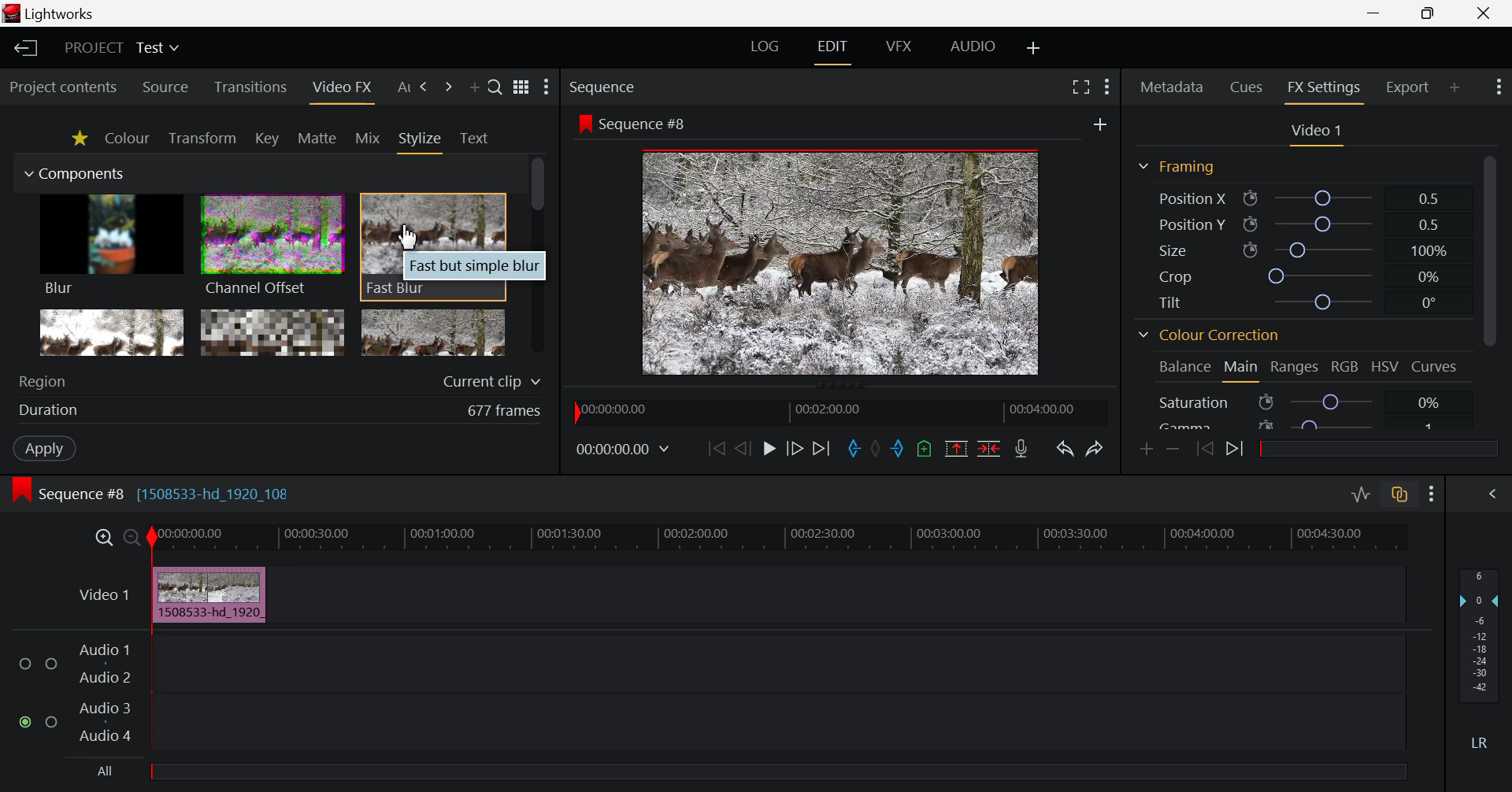 This screenshot has height=792, width=1512. I want to click on Redo, so click(1096, 450).